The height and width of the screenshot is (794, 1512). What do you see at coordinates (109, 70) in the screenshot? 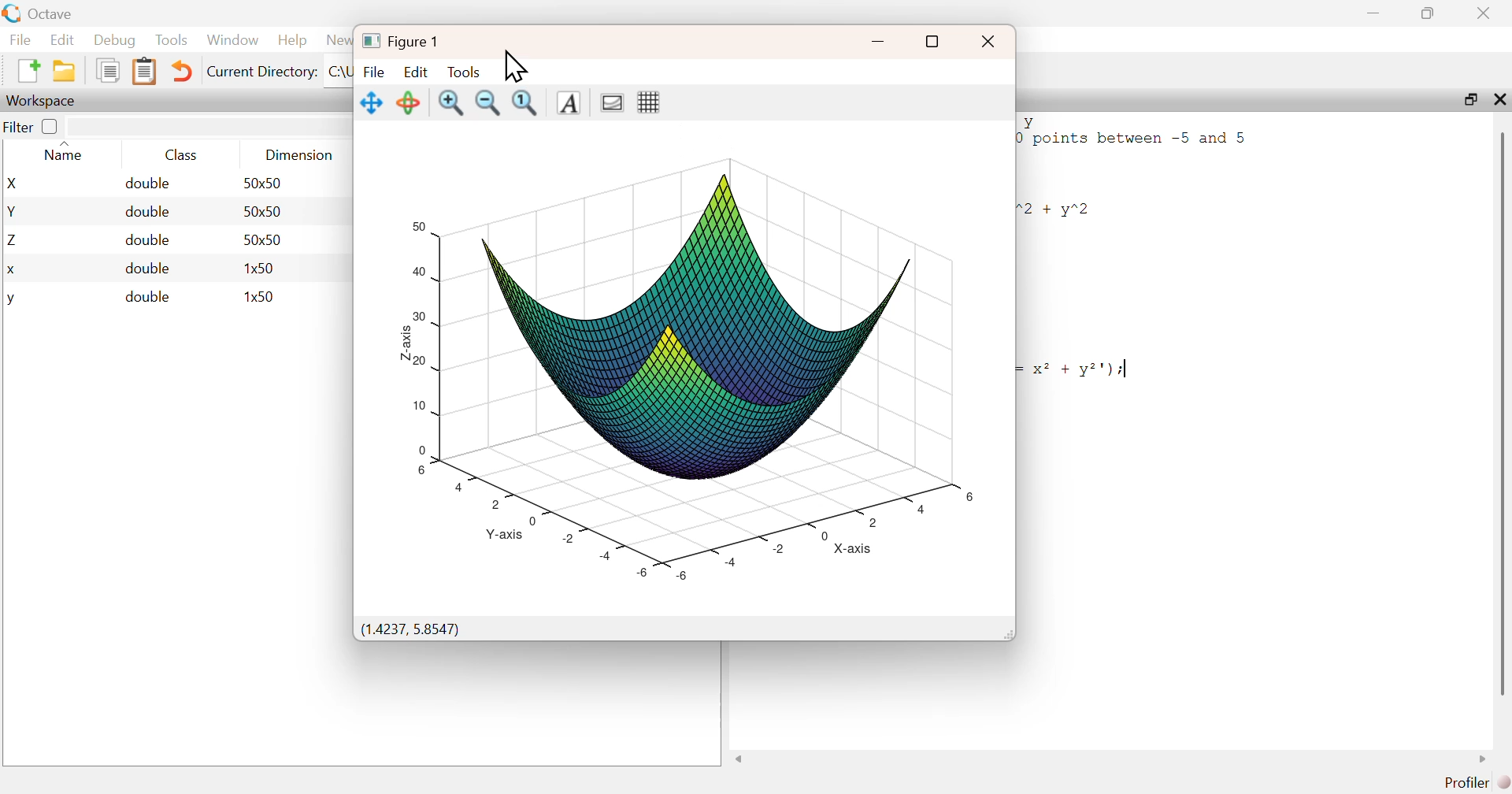
I see `Duplicate` at bounding box center [109, 70].